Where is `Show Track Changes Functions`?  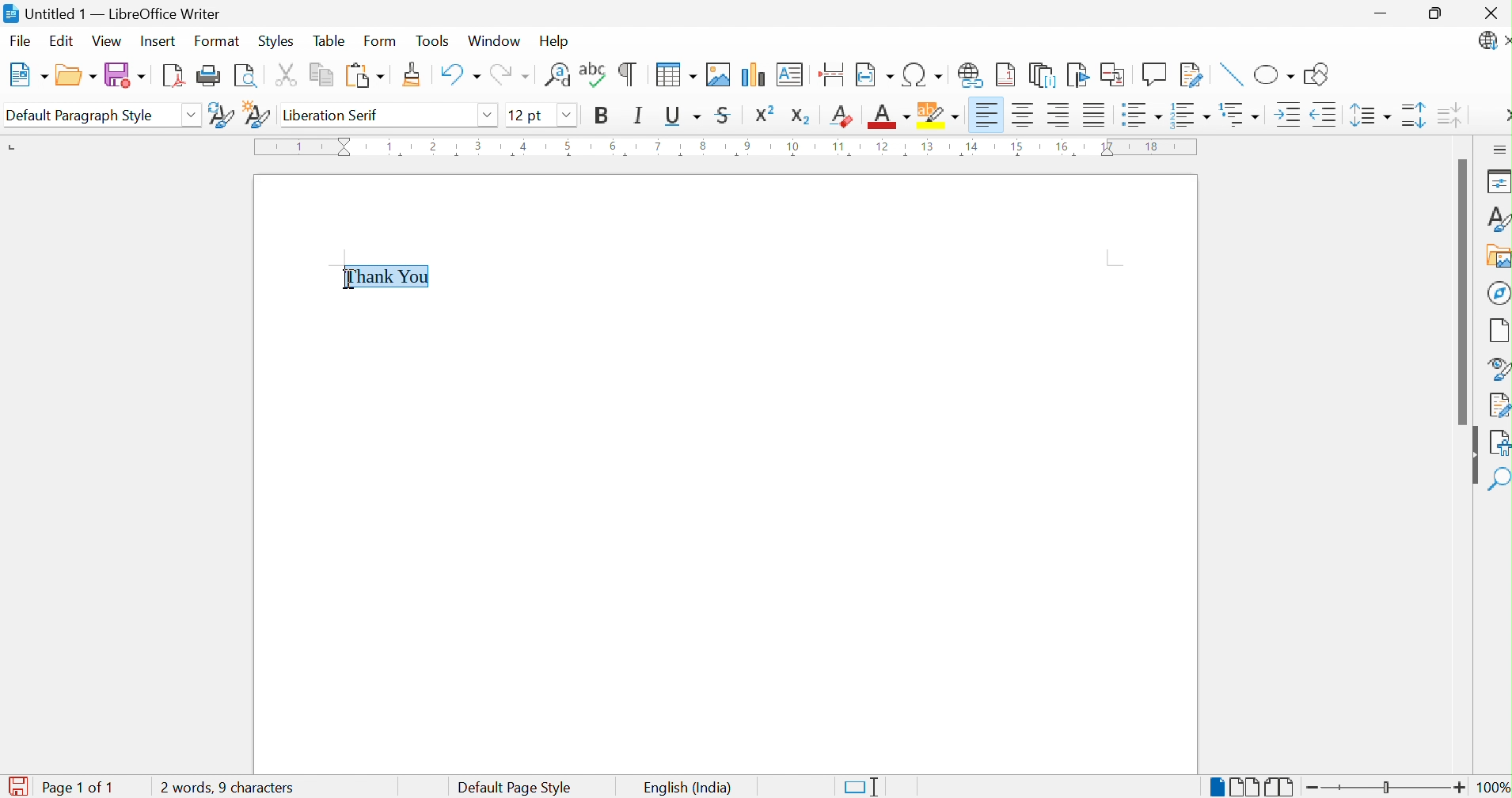
Show Track Changes Functions is located at coordinates (1192, 74).